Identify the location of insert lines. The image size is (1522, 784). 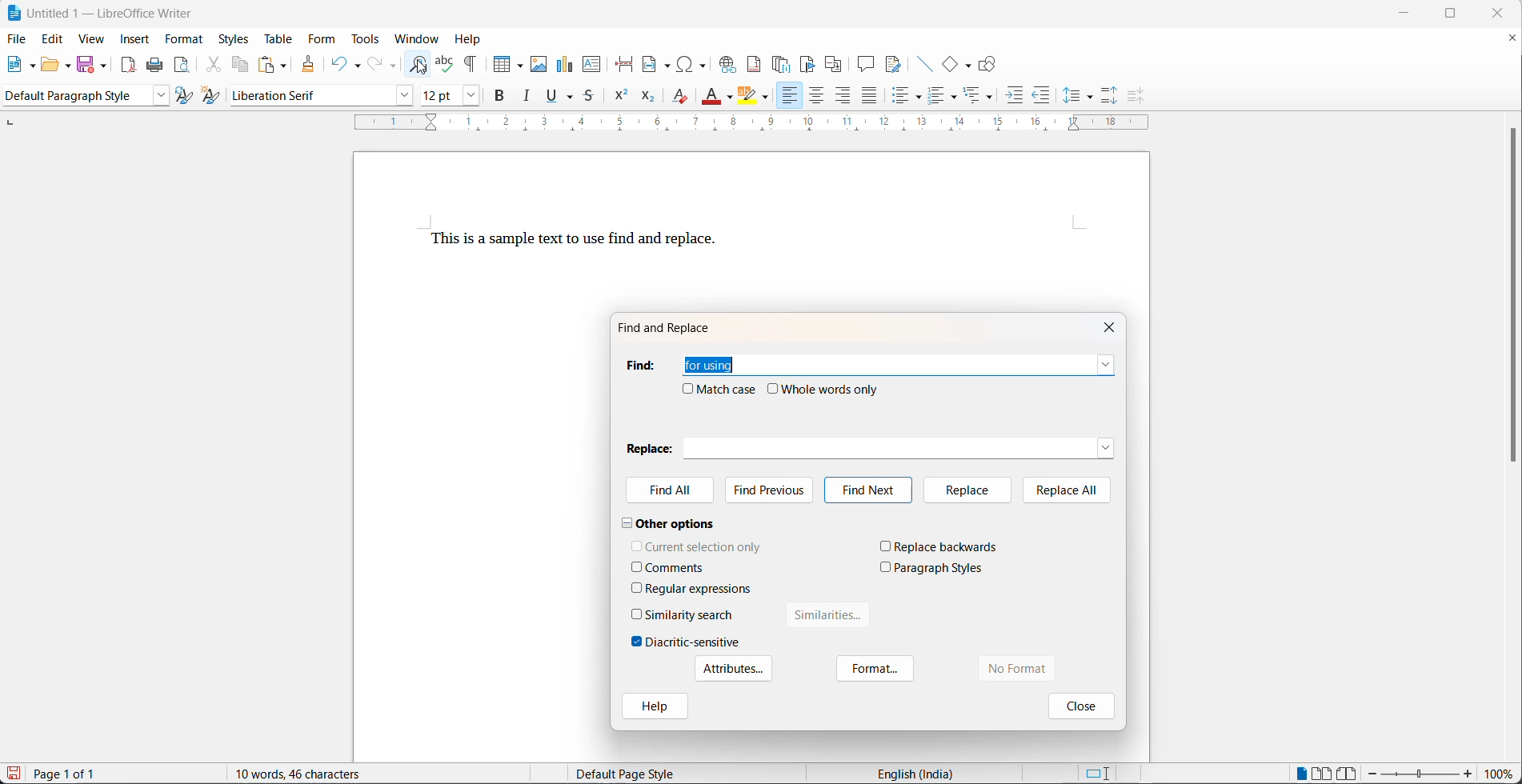
(924, 64).